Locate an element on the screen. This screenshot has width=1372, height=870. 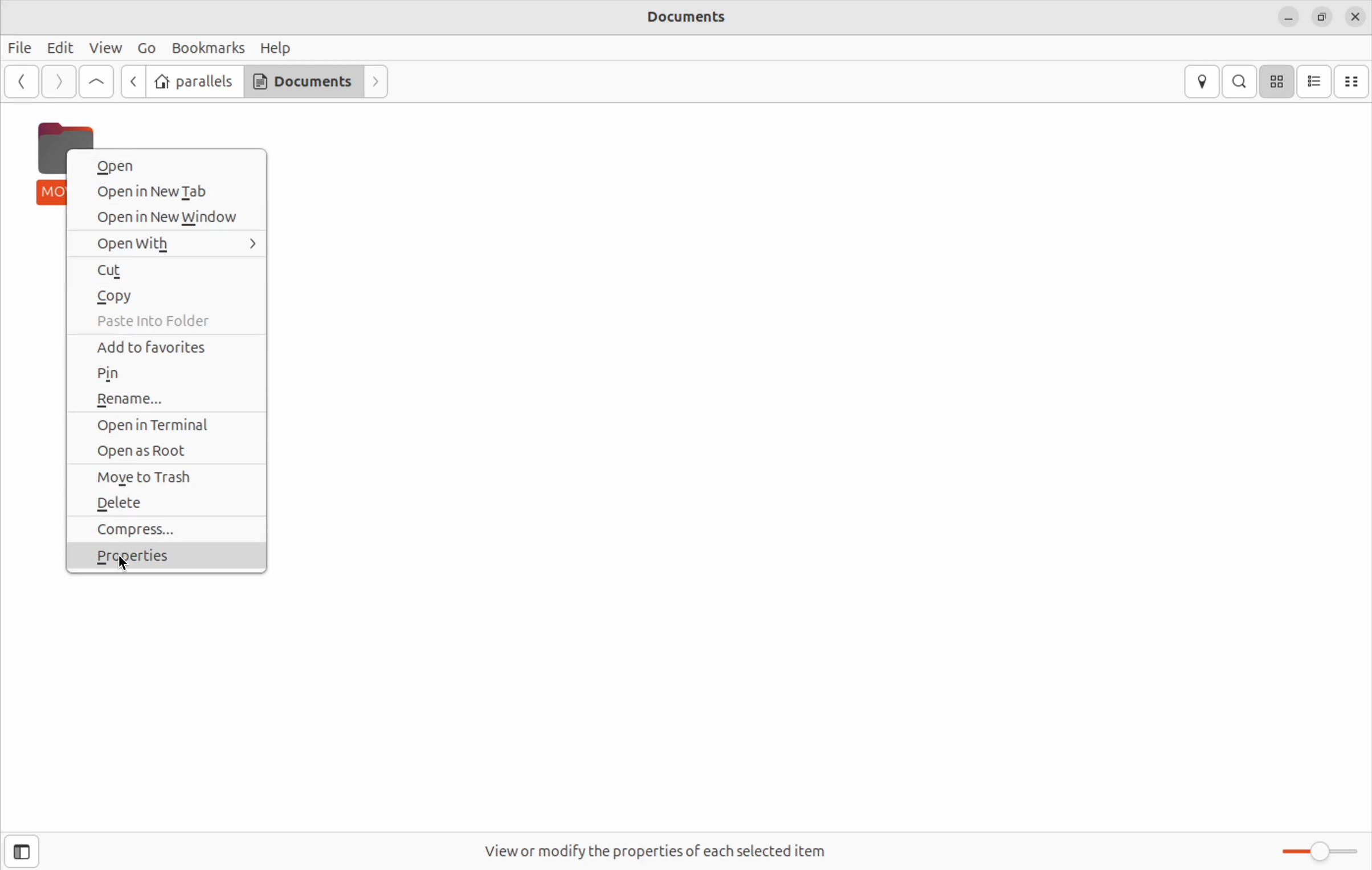
Delete  is located at coordinates (166, 506).